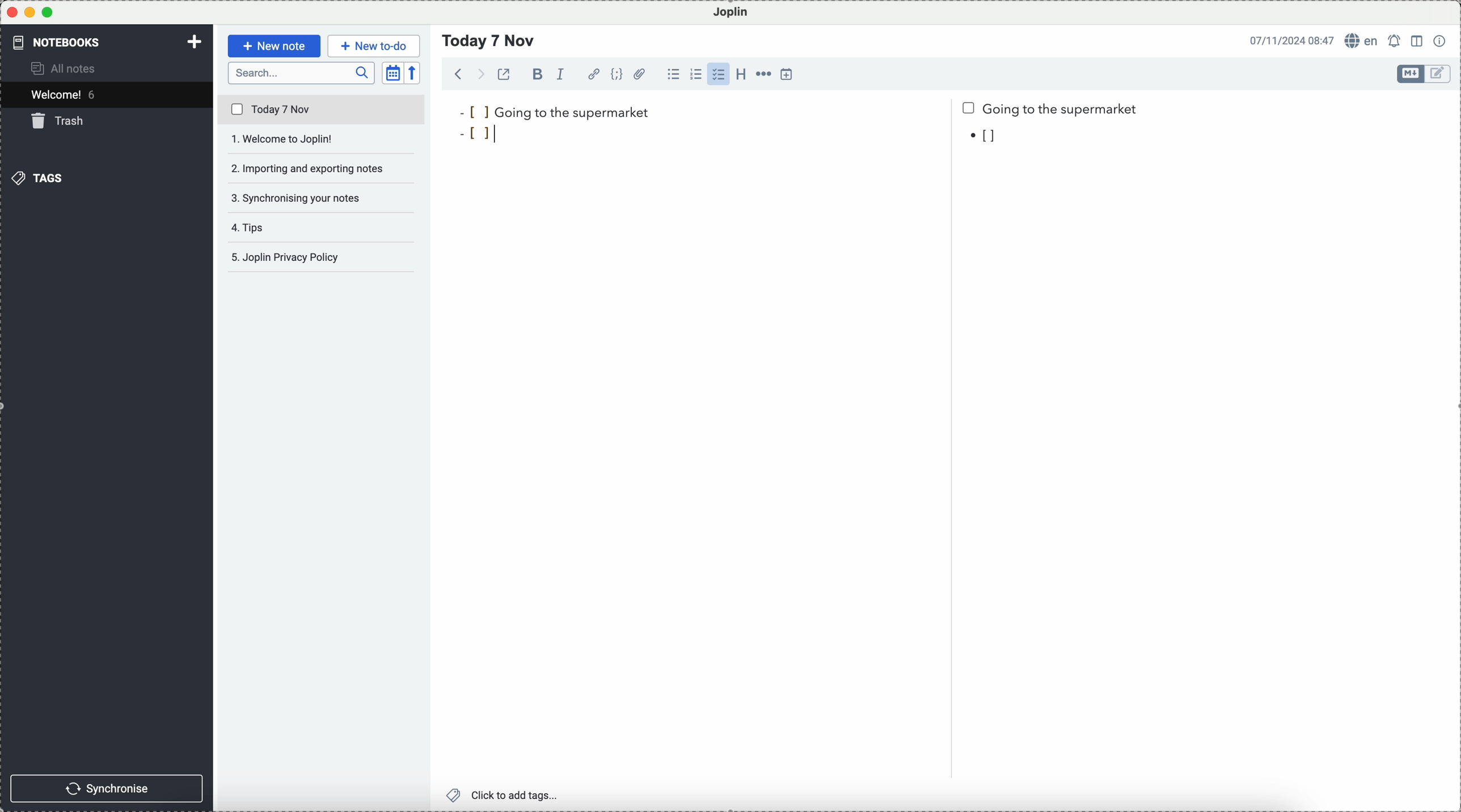  Describe the element at coordinates (554, 112) in the screenshot. I see `going to the supermarket` at that location.